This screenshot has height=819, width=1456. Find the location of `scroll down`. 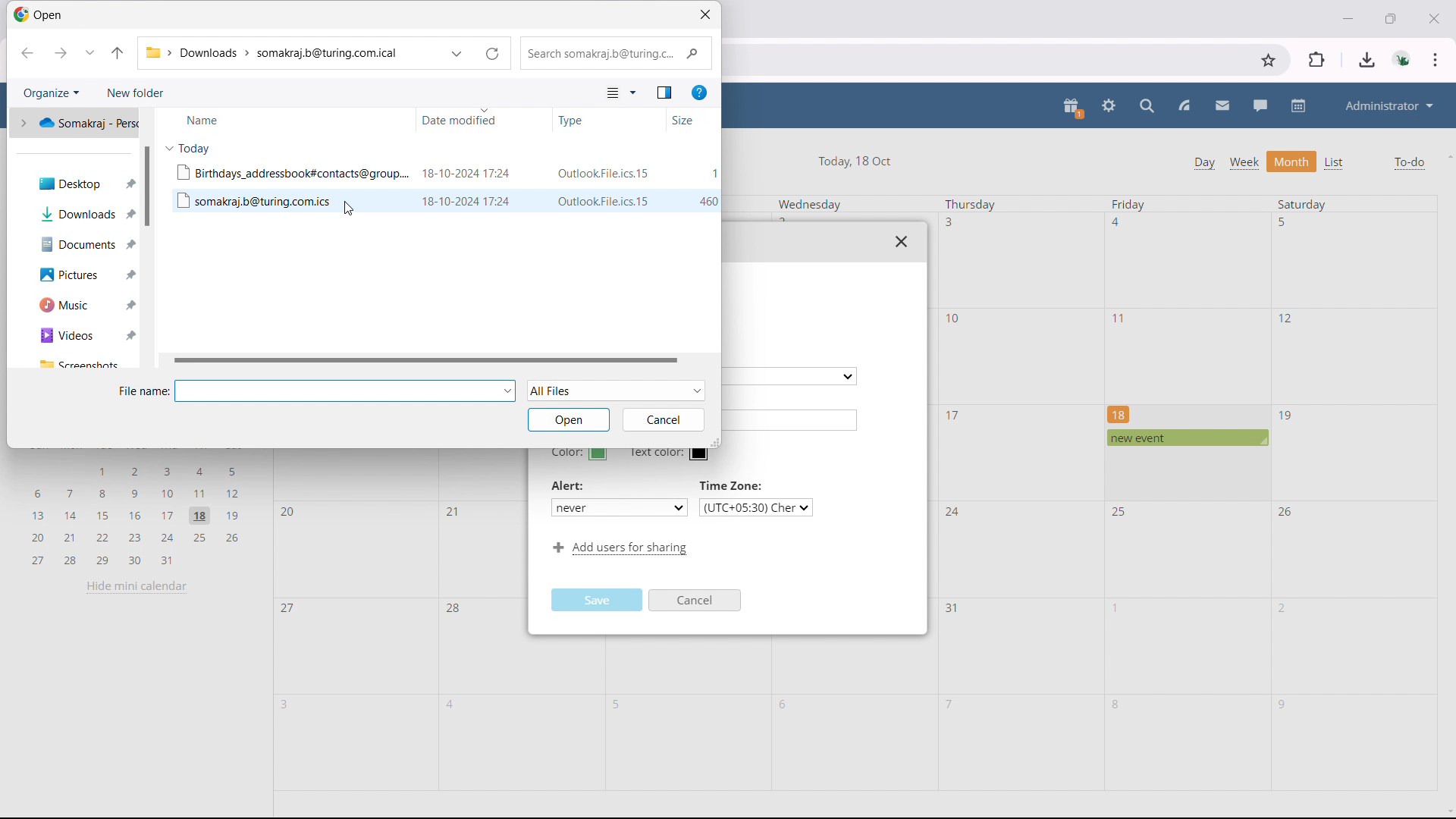

scroll down is located at coordinates (1447, 813).